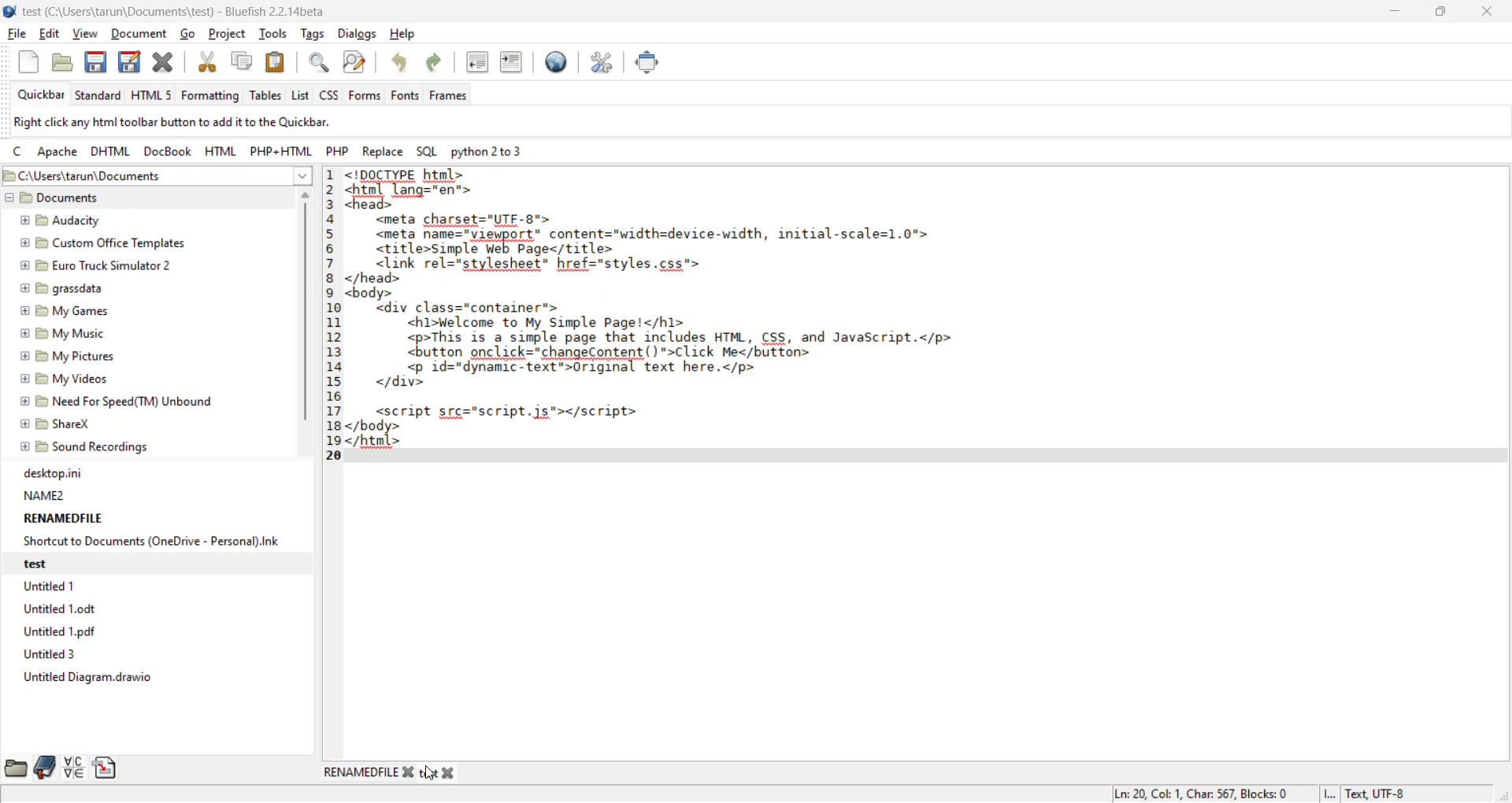 The image size is (1512, 803). Describe the element at coordinates (402, 64) in the screenshot. I see `undo` at that location.